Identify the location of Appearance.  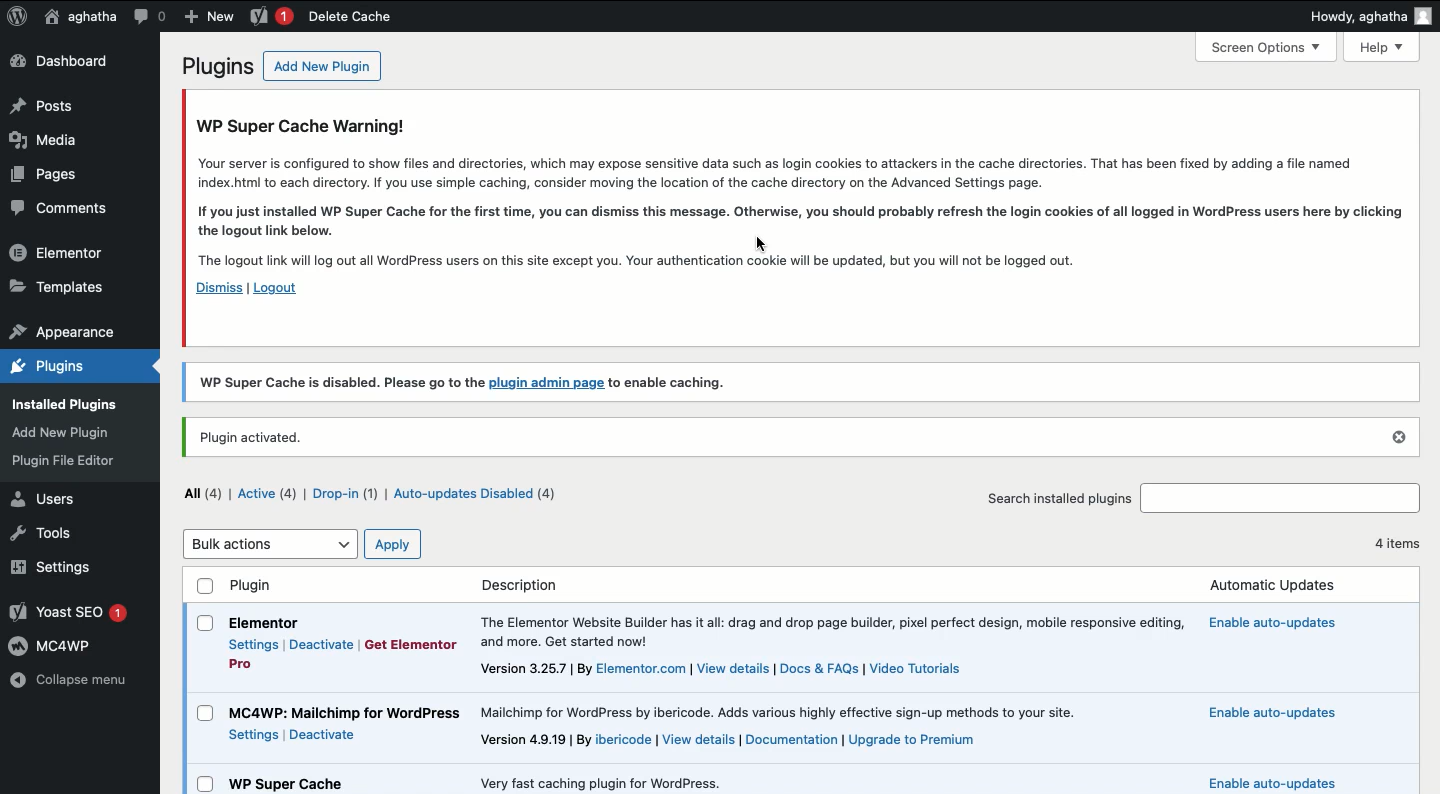
(73, 430).